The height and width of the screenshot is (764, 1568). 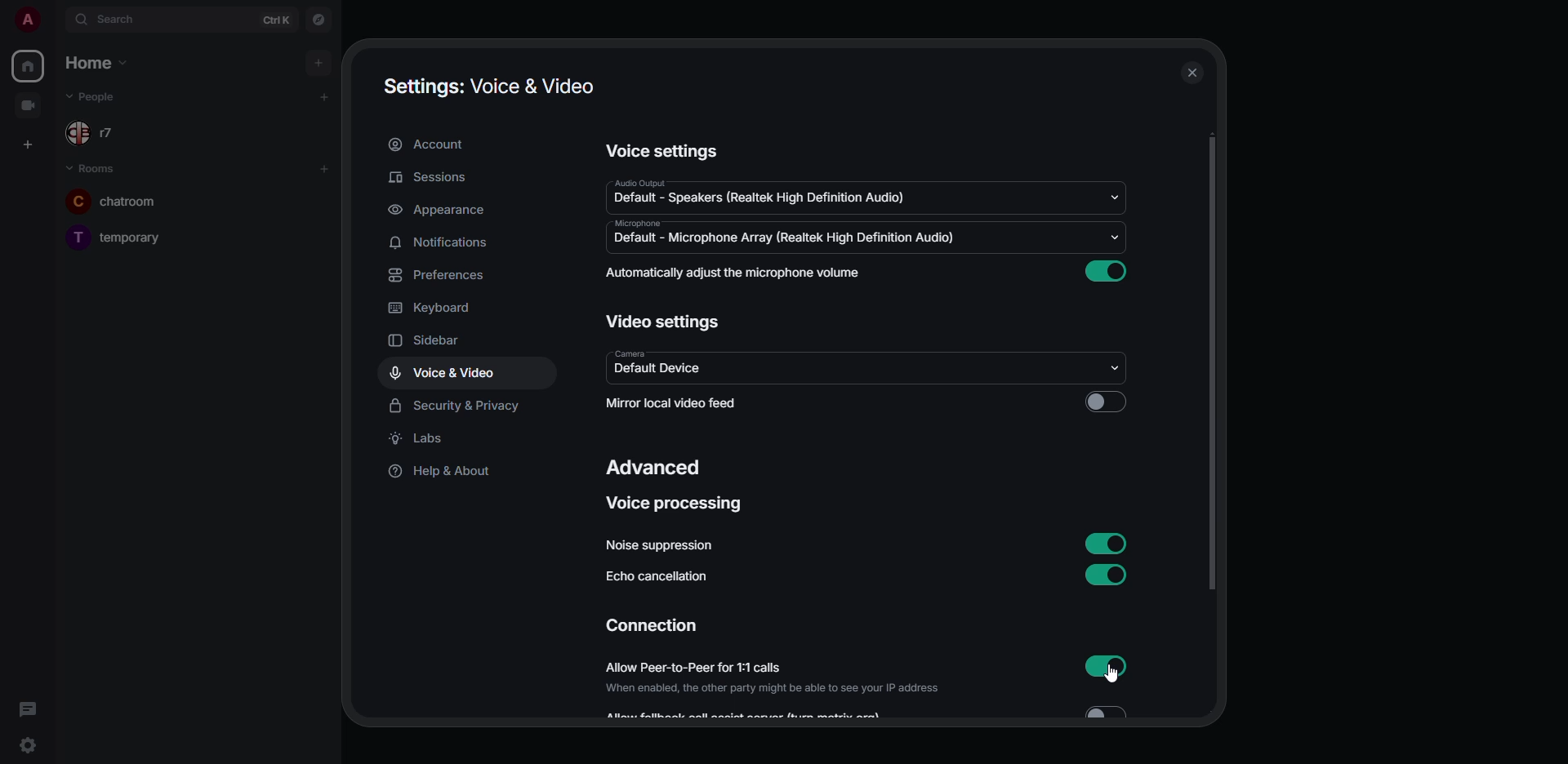 I want to click on audio output, so click(x=640, y=180).